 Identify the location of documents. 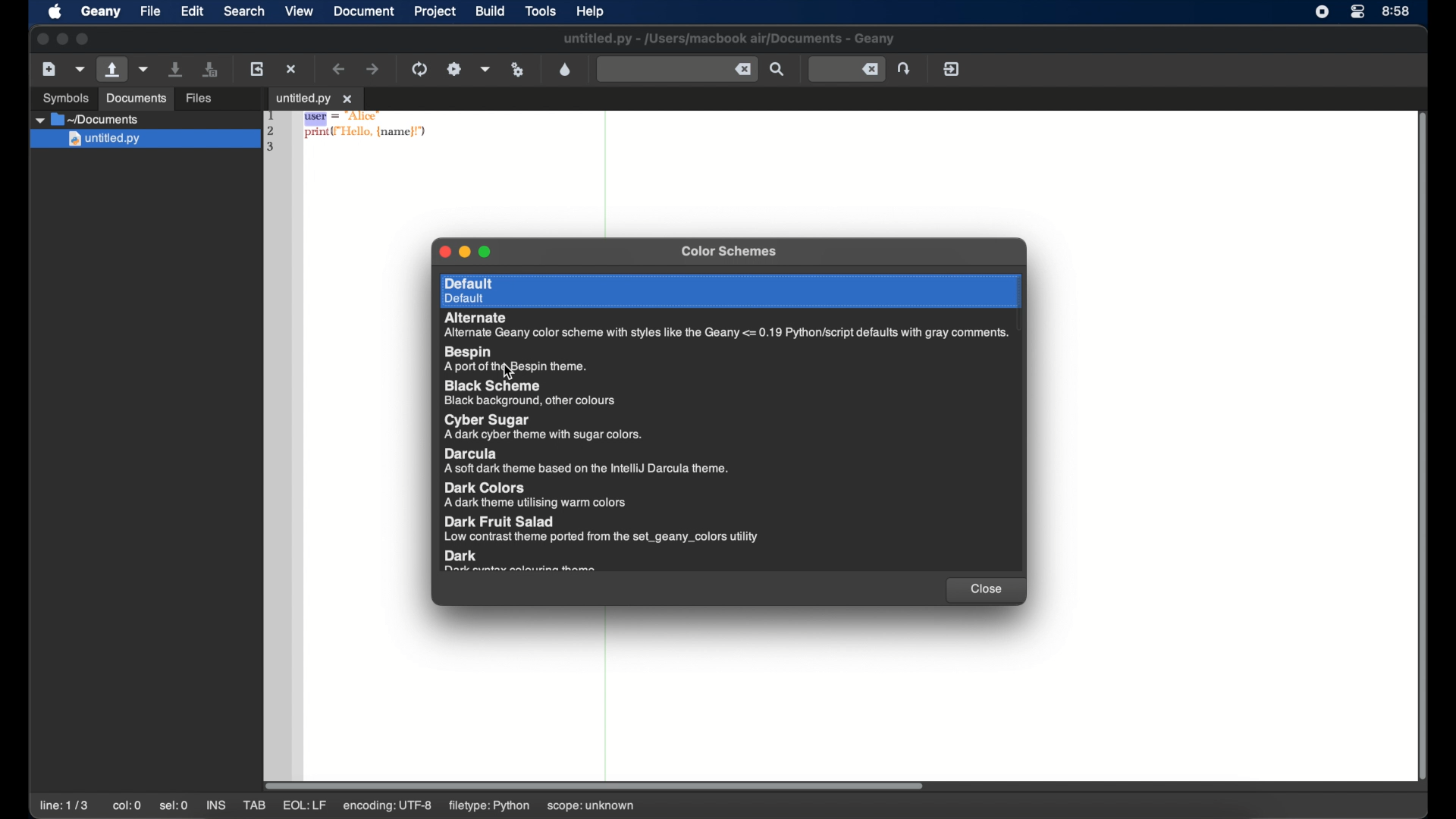
(88, 120).